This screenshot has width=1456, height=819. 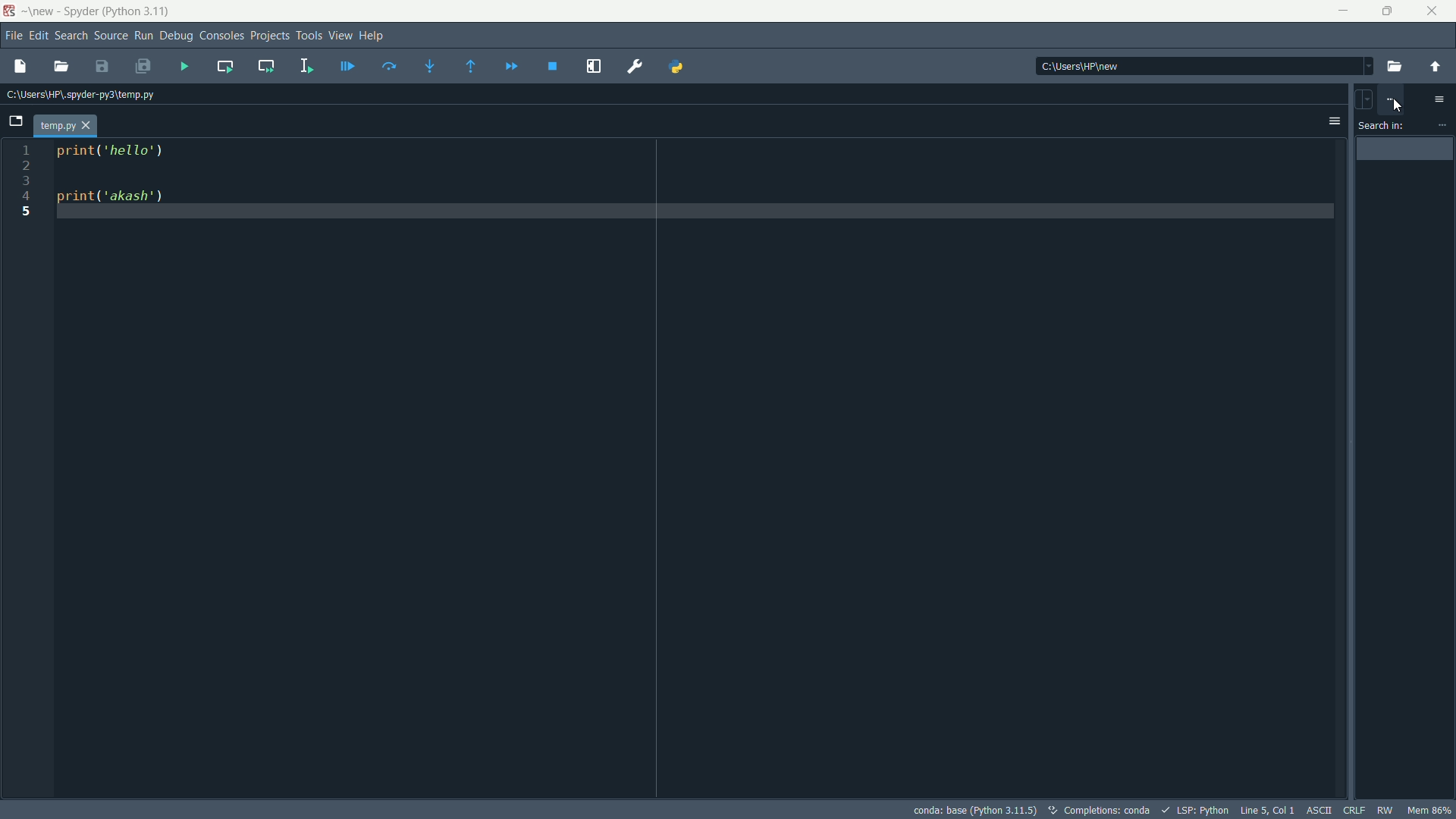 I want to click on ASCII, so click(x=1321, y=808).